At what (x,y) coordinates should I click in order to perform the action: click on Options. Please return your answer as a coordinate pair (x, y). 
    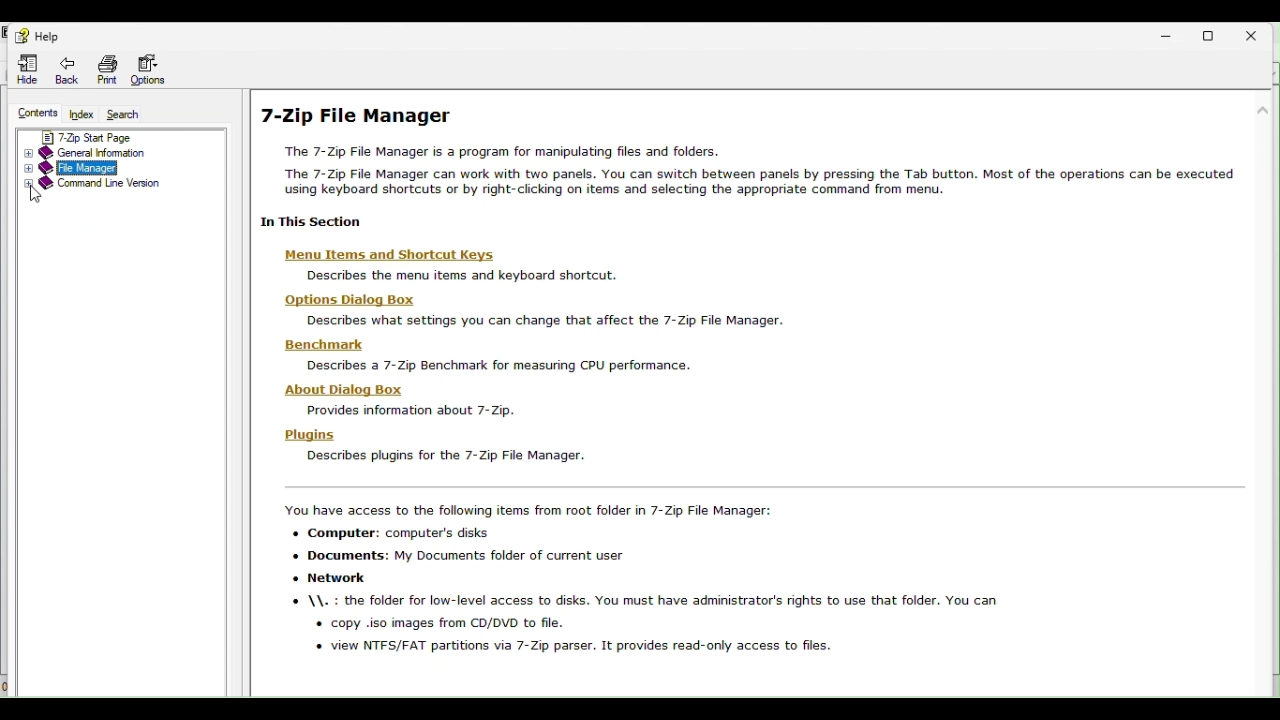
    Looking at the image, I should click on (157, 69).